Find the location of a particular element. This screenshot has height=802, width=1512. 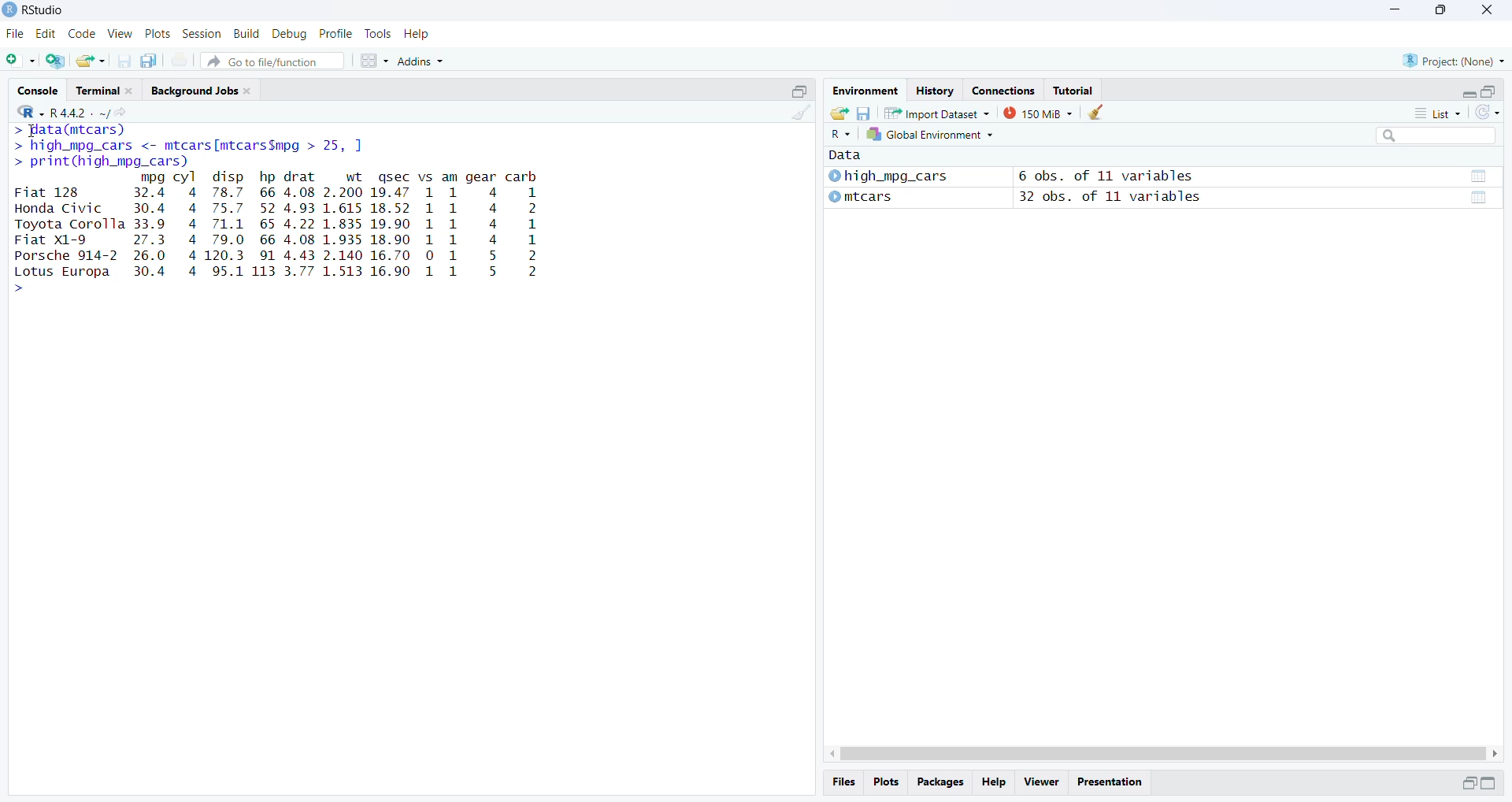

Build is located at coordinates (246, 33).